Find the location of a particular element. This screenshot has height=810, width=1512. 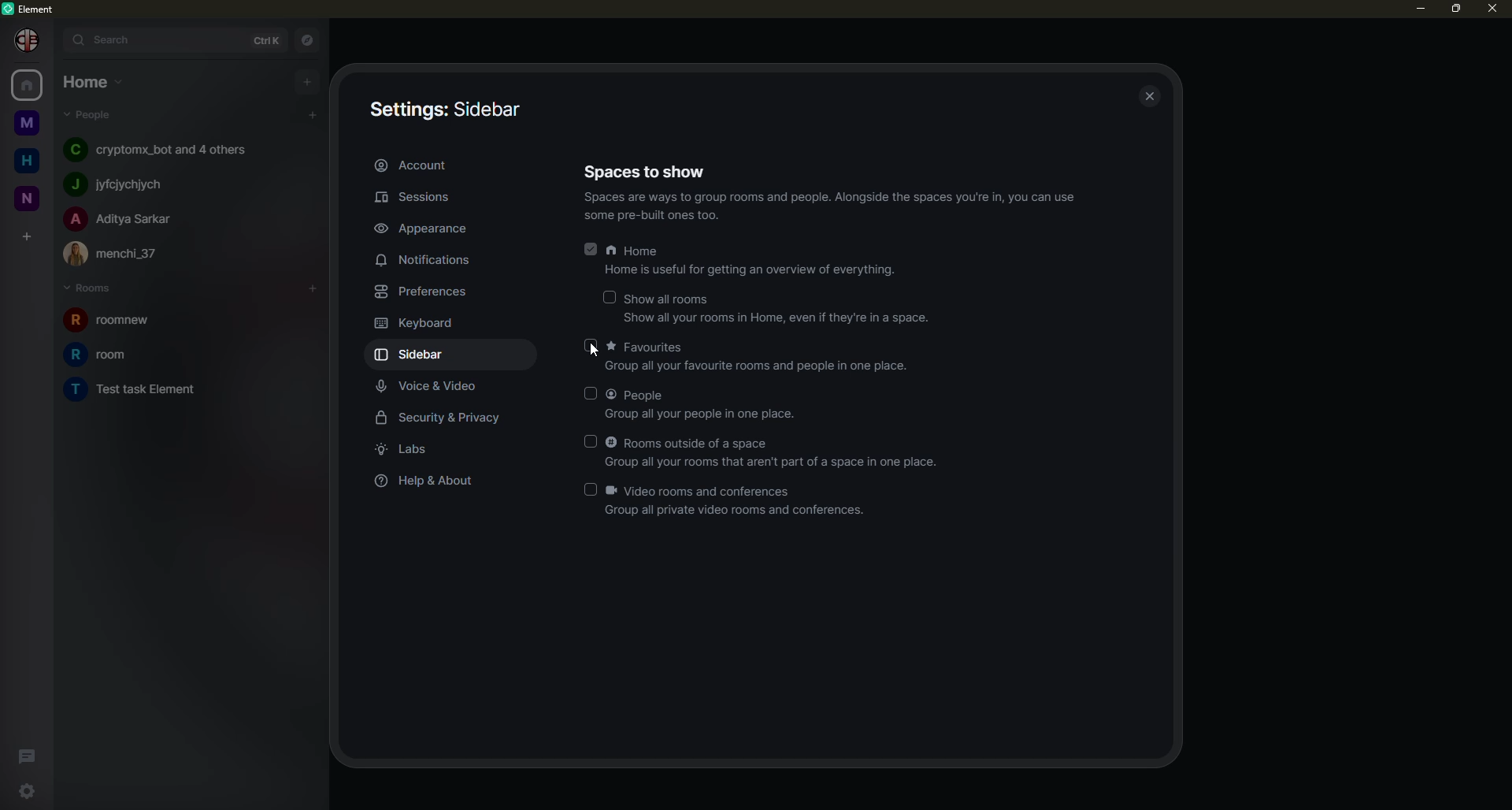

notifications is located at coordinates (430, 260).